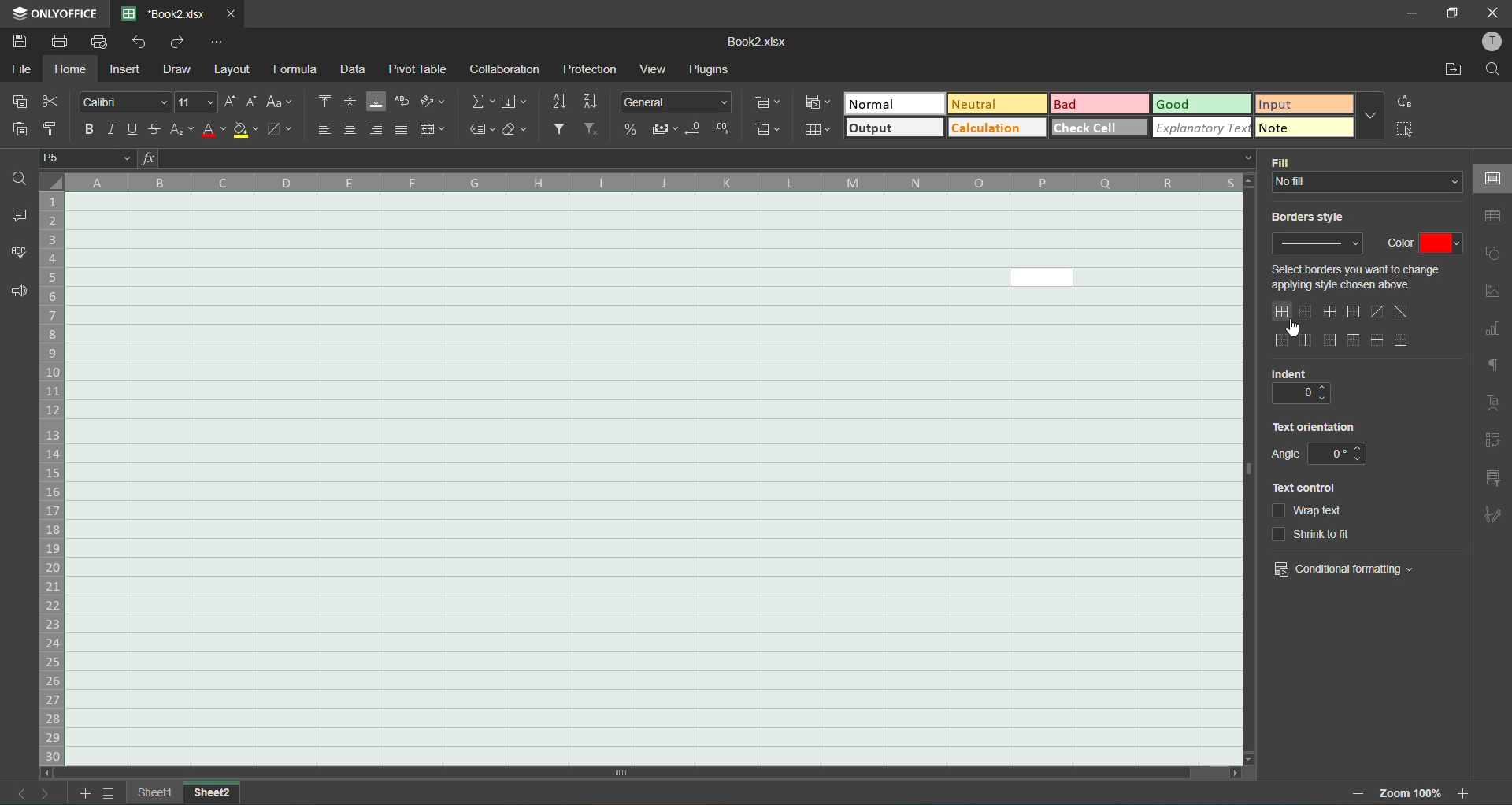 The height and width of the screenshot is (805, 1512). Describe the element at coordinates (629, 129) in the screenshot. I see `percent` at that location.